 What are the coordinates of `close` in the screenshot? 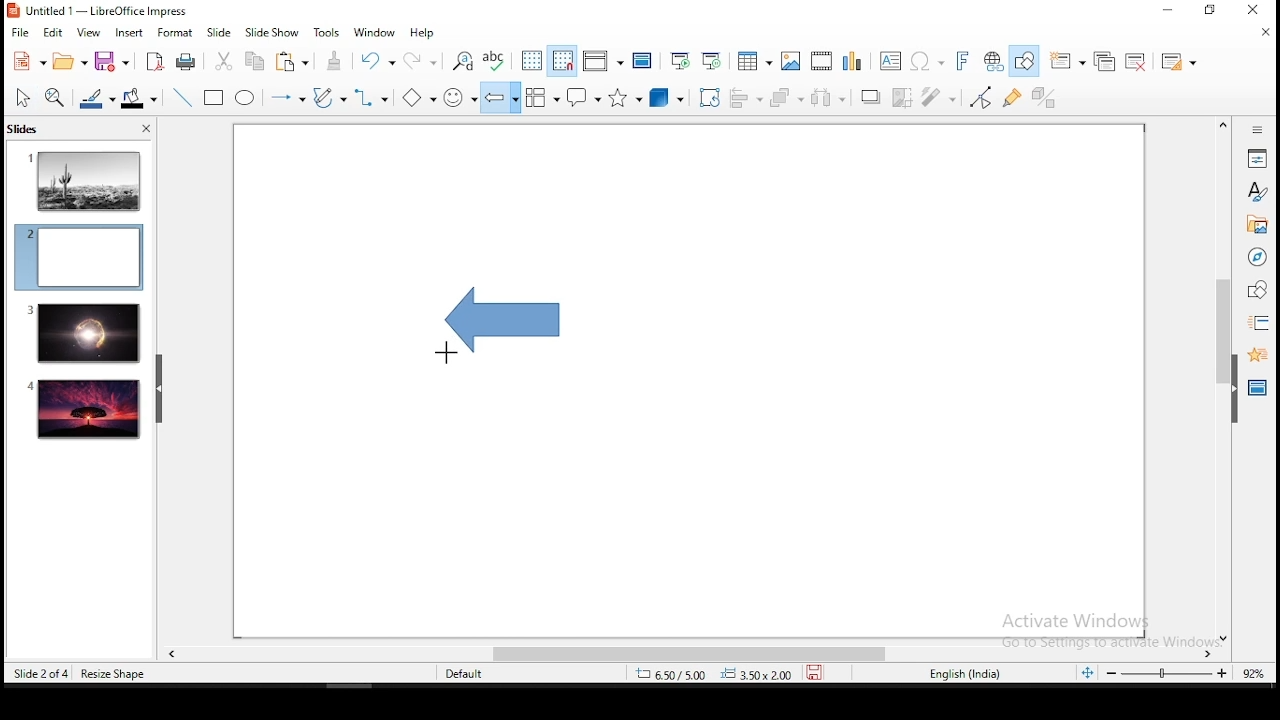 It's located at (144, 131).